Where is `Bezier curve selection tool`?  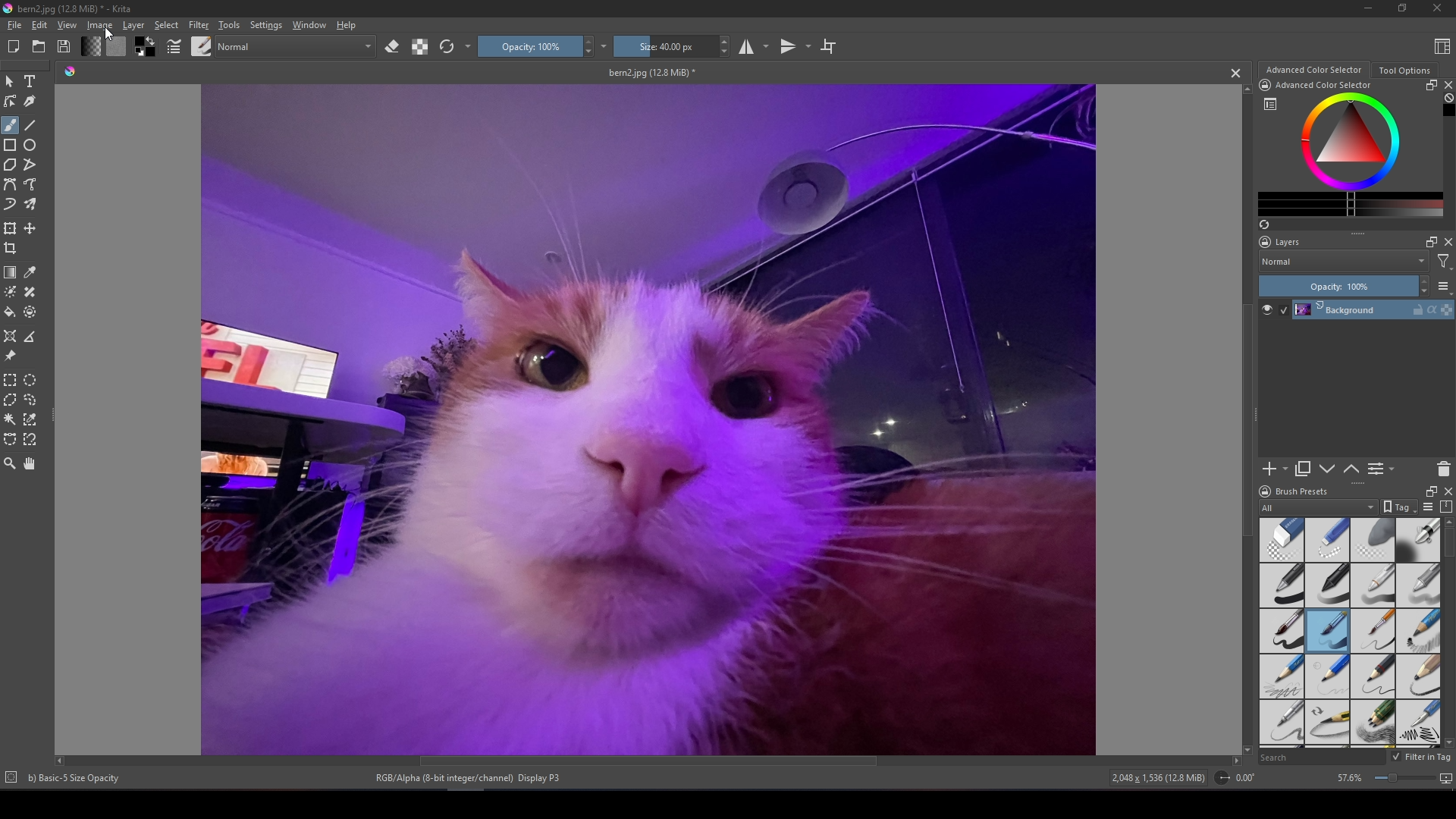 Bezier curve selection tool is located at coordinates (10, 439).